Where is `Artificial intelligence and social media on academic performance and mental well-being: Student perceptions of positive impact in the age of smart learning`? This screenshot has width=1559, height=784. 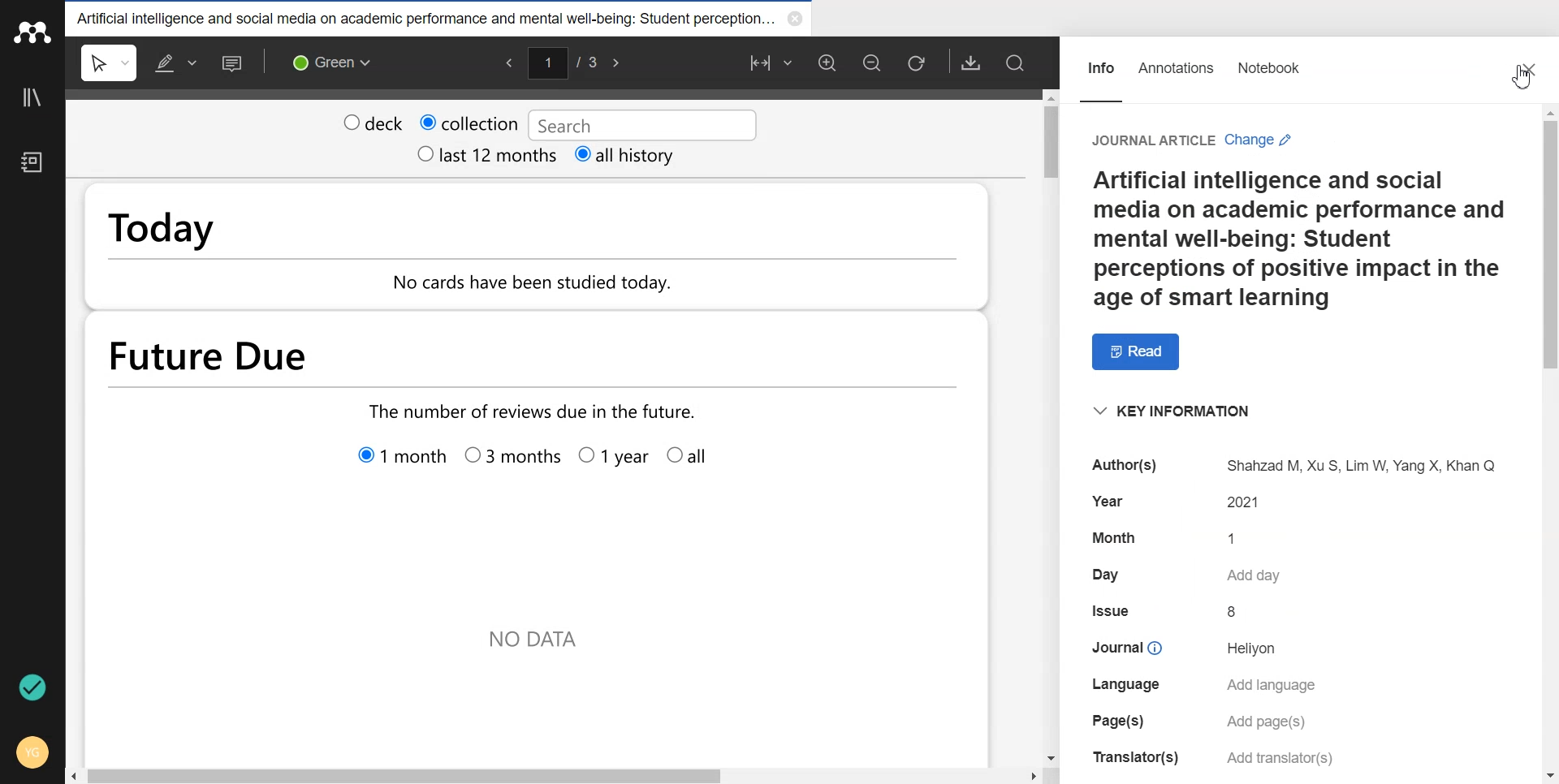 Artificial intelligence and social media on academic performance and mental well-being: Student perceptions of positive impact in the age of smart learning is located at coordinates (1300, 239).